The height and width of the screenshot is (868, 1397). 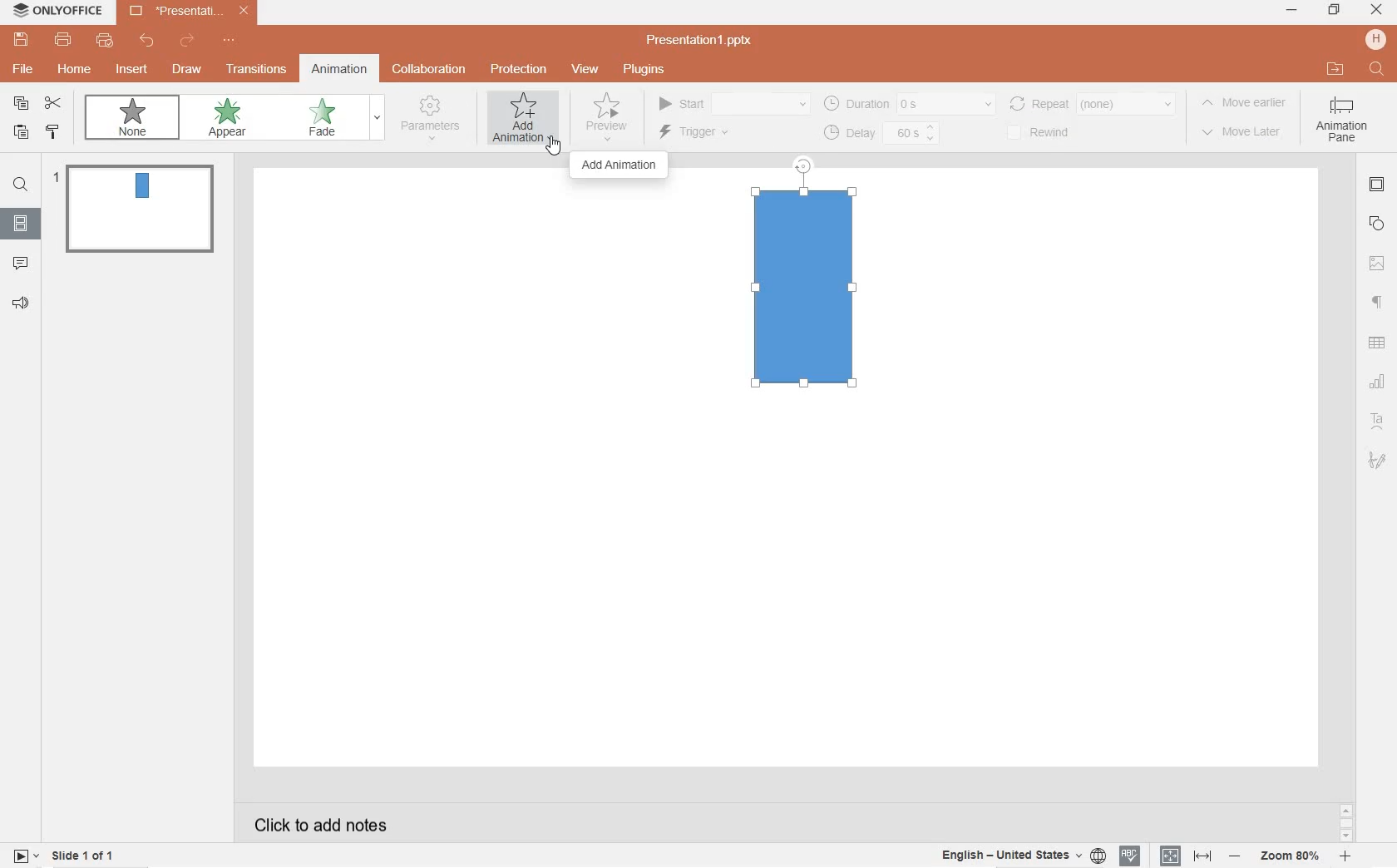 I want to click on cut, so click(x=53, y=104).